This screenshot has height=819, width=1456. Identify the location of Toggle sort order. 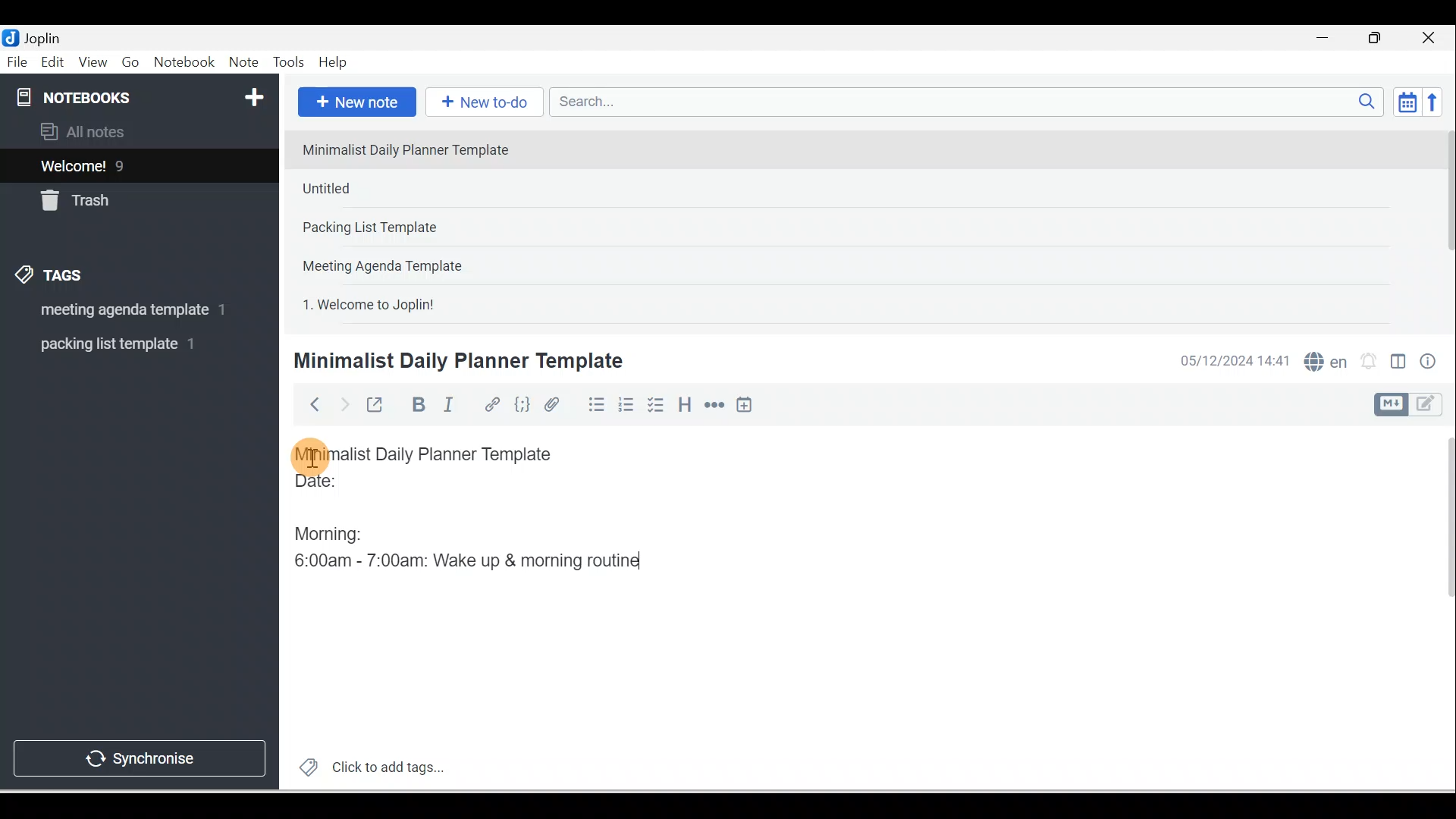
(1407, 101).